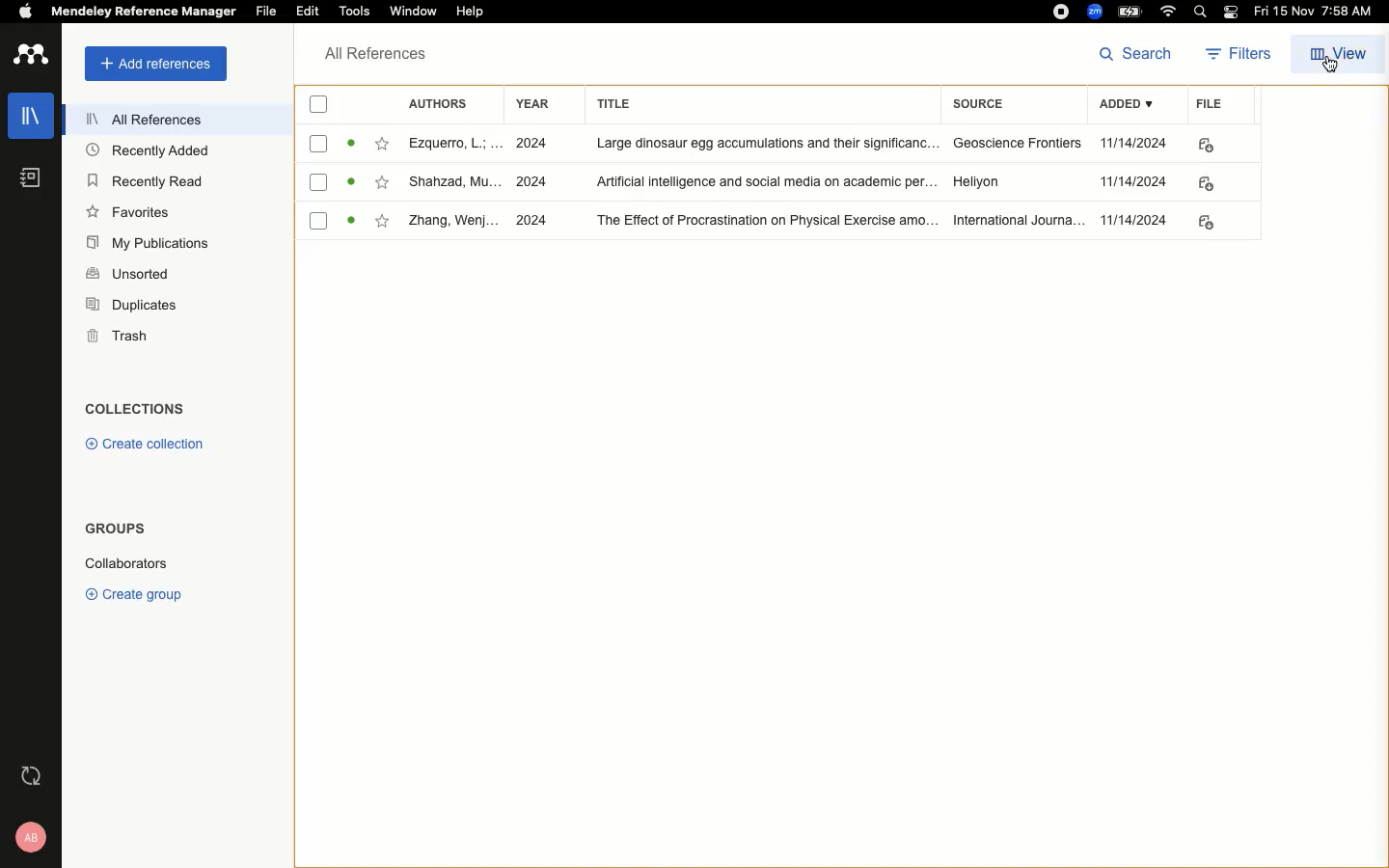 The image size is (1389, 868). I want to click on Added, so click(1124, 107).